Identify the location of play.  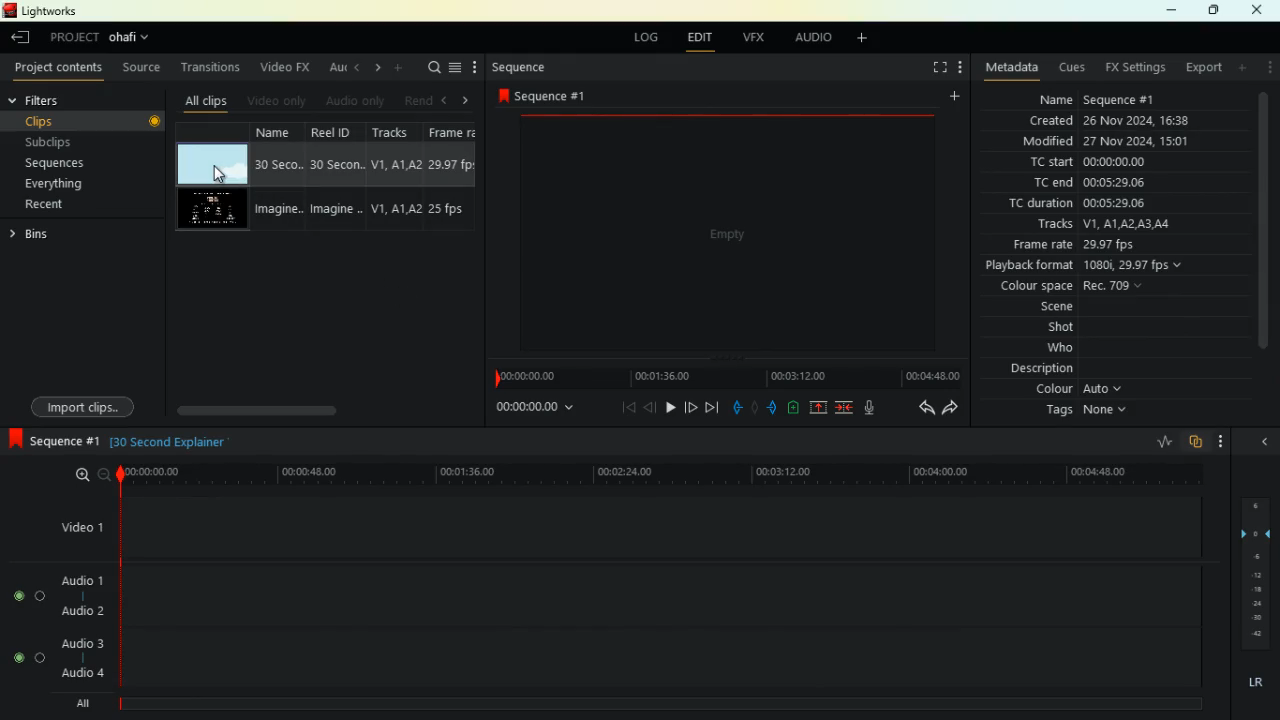
(670, 407).